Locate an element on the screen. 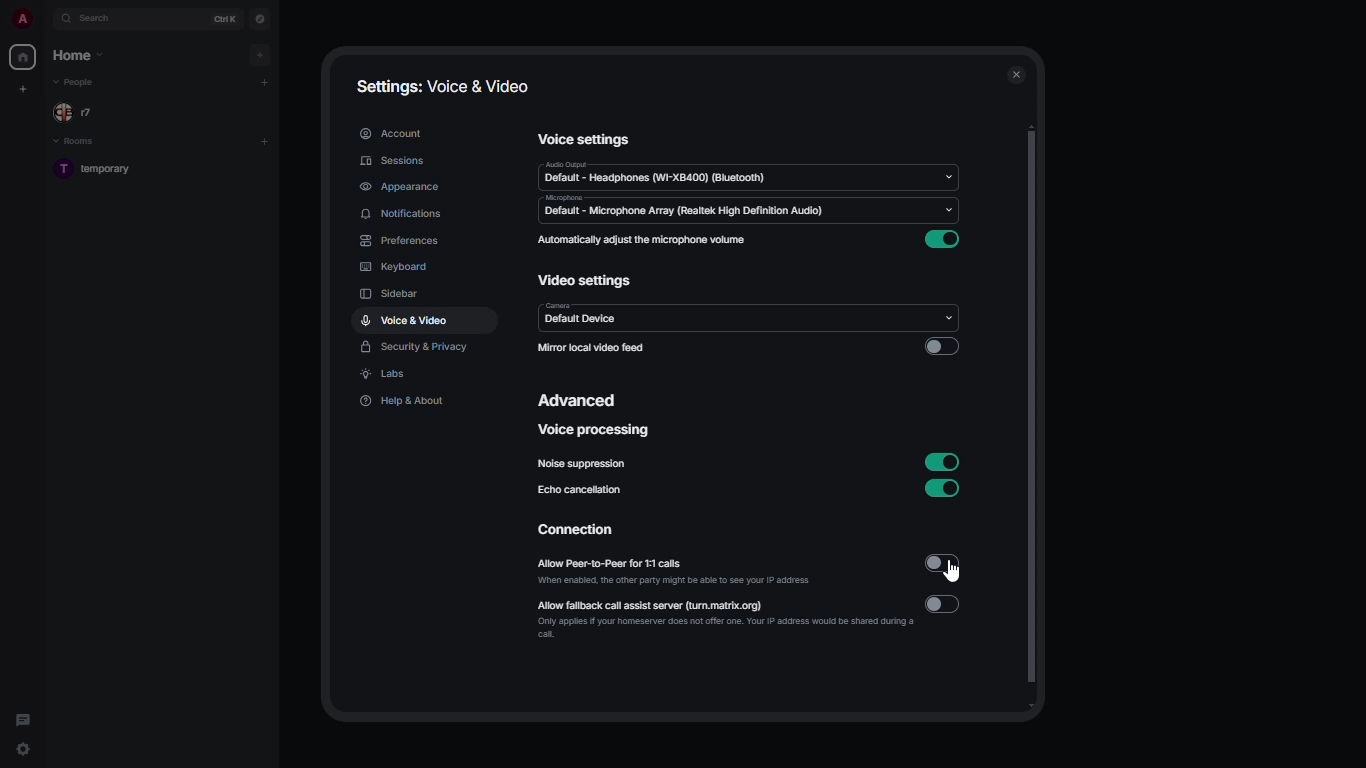  keyboard is located at coordinates (394, 266).